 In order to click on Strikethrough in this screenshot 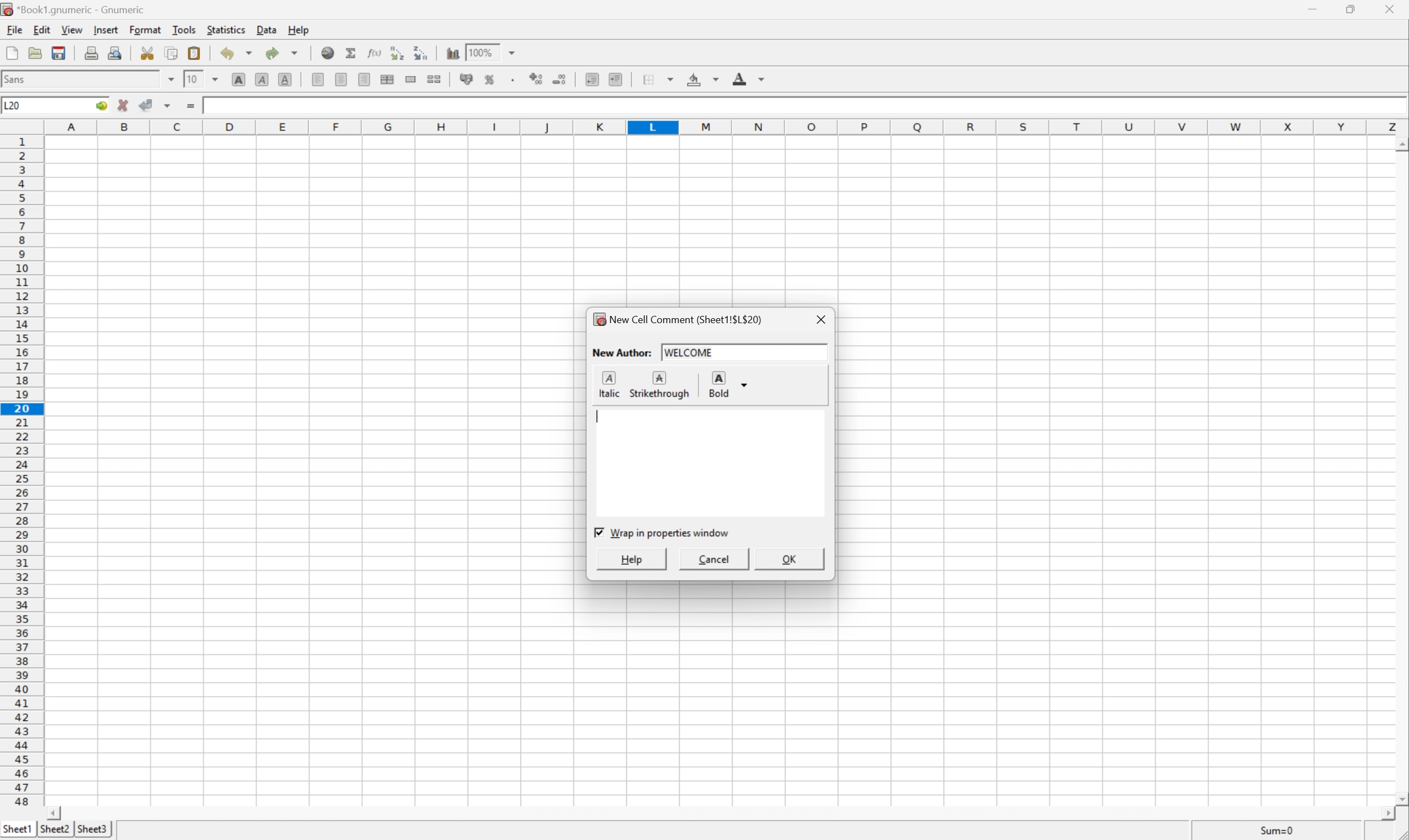, I will do `click(660, 384)`.